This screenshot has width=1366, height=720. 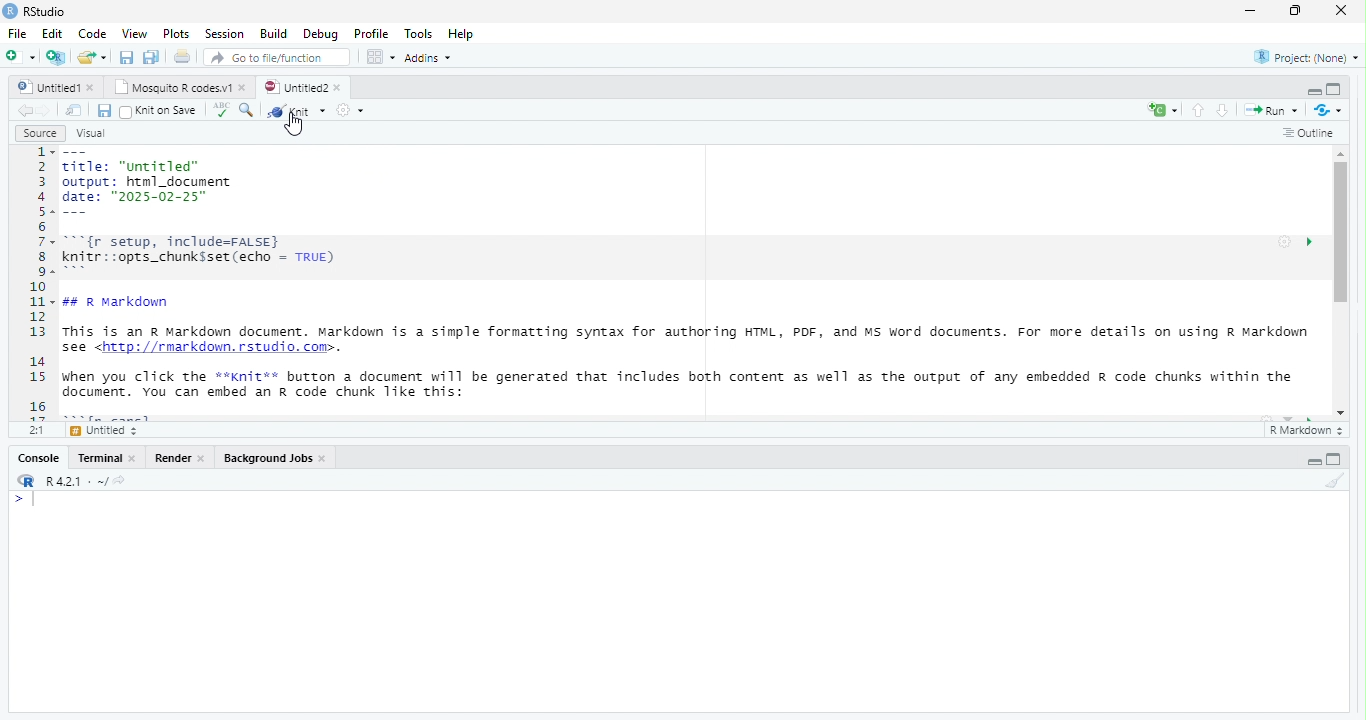 What do you see at coordinates (323, 35) in the screenshot?
I see `Debug` at bounding box center [323, 35].